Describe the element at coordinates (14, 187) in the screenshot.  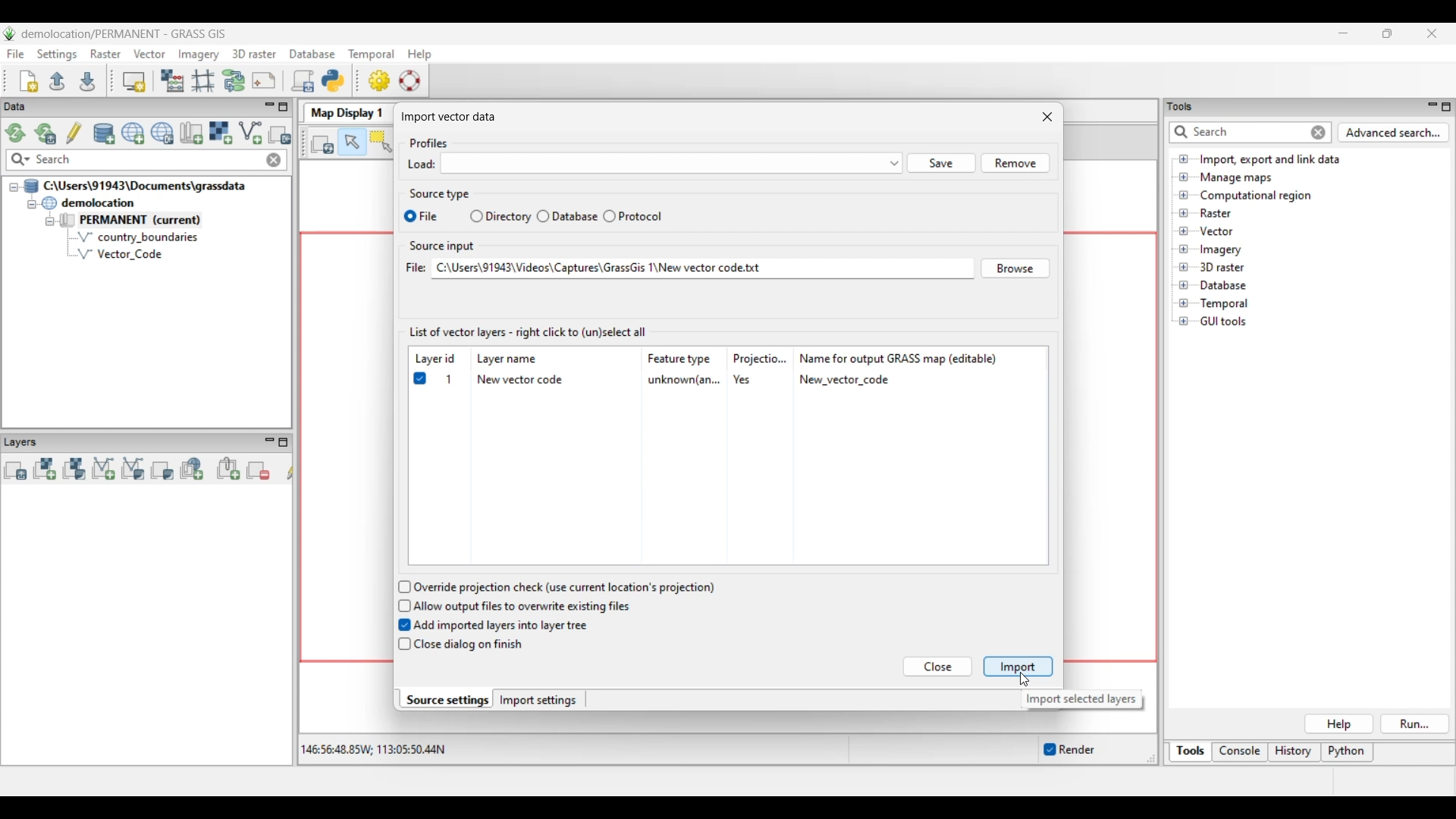
I see `Collapse file thread ` at that location.